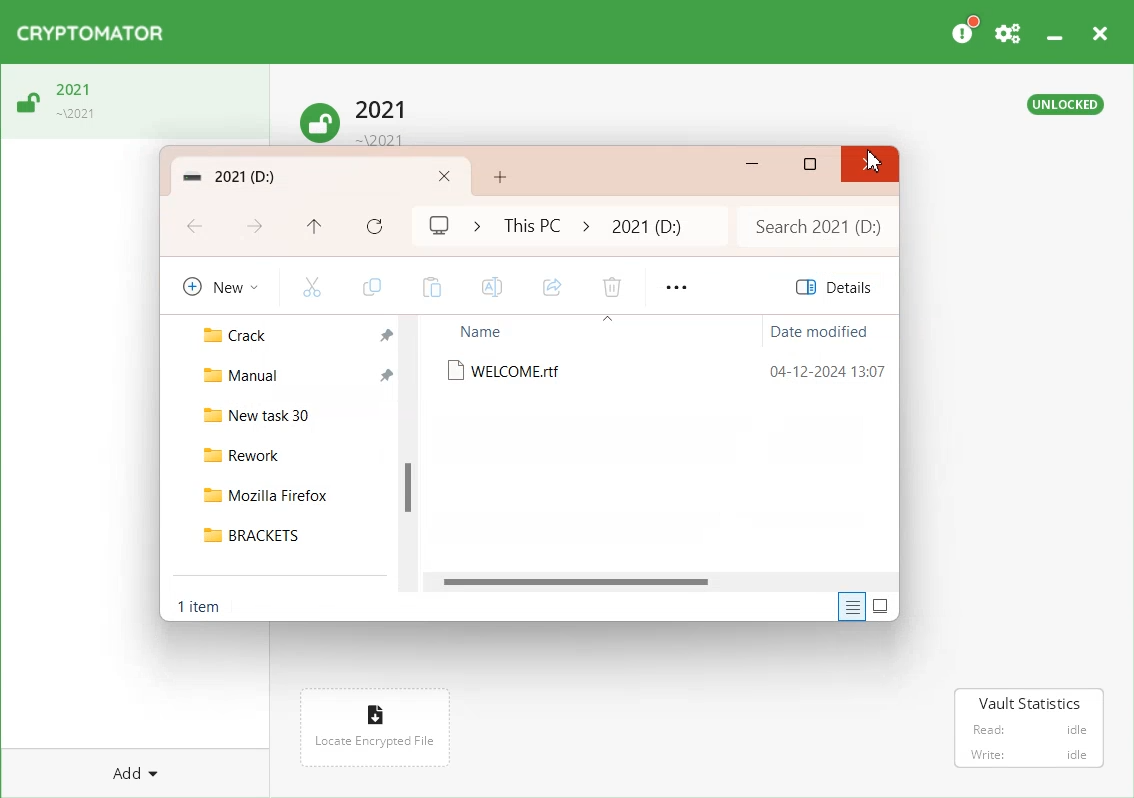 The image size is (1134, 798). What do you see at coordinates (281, 373) in the screenshot?
I see `Manual` at bounding box center [281, 373].